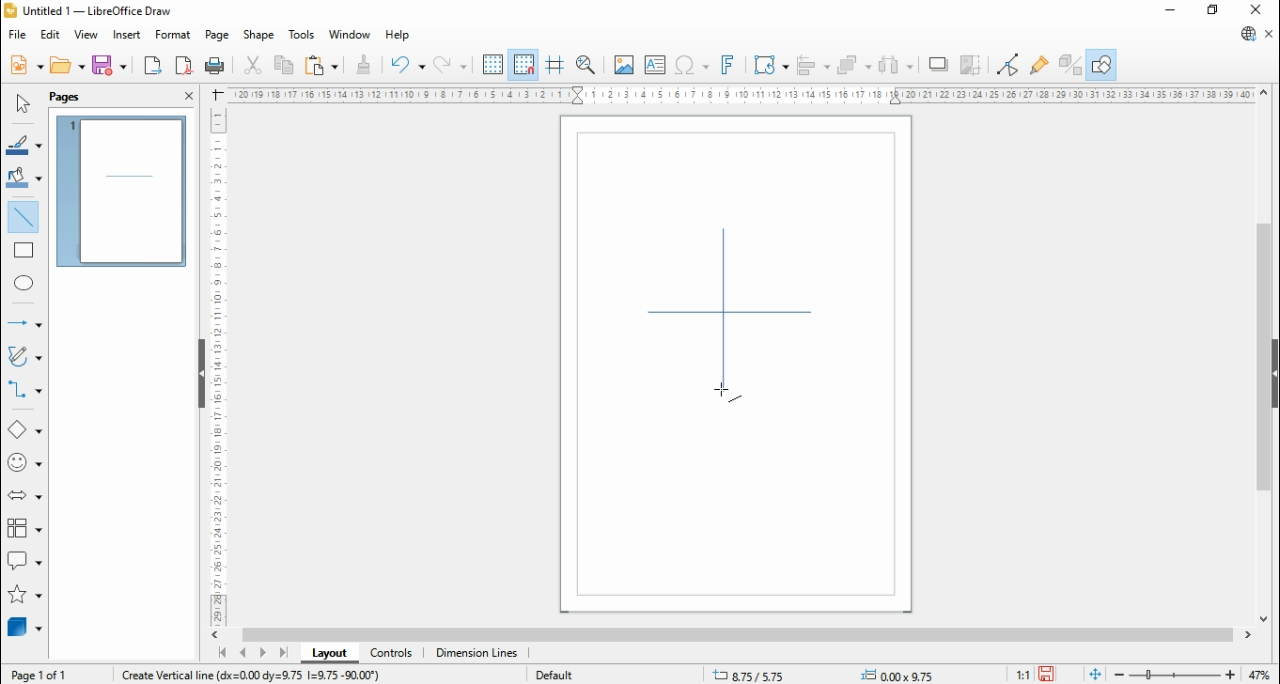 The width and height of the screenshot is (1280, 684). What do you see at coordinates (86, 36) in the screenshot?
I see `view` at bounding box center [86, 36].